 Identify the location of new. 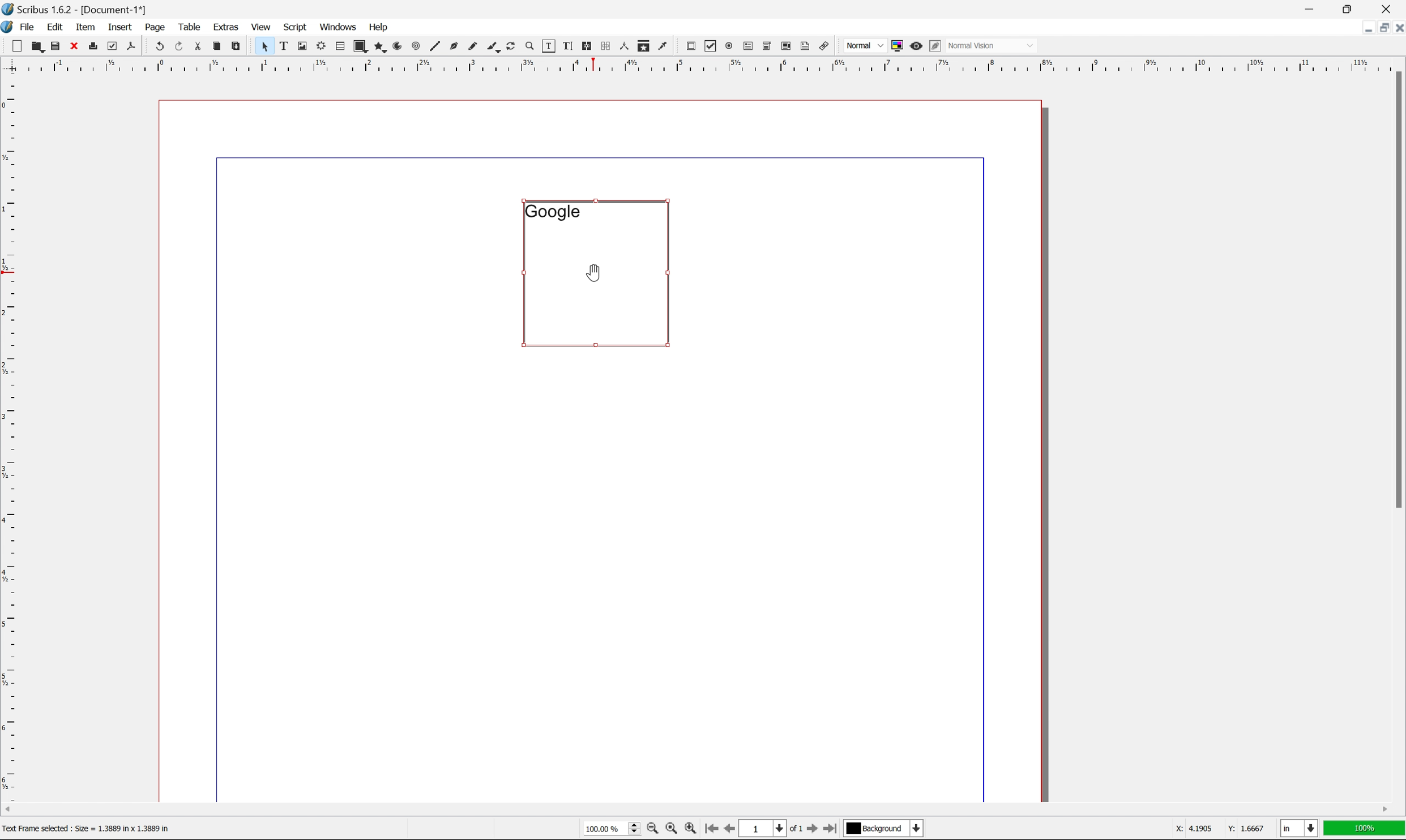
(18, 46).